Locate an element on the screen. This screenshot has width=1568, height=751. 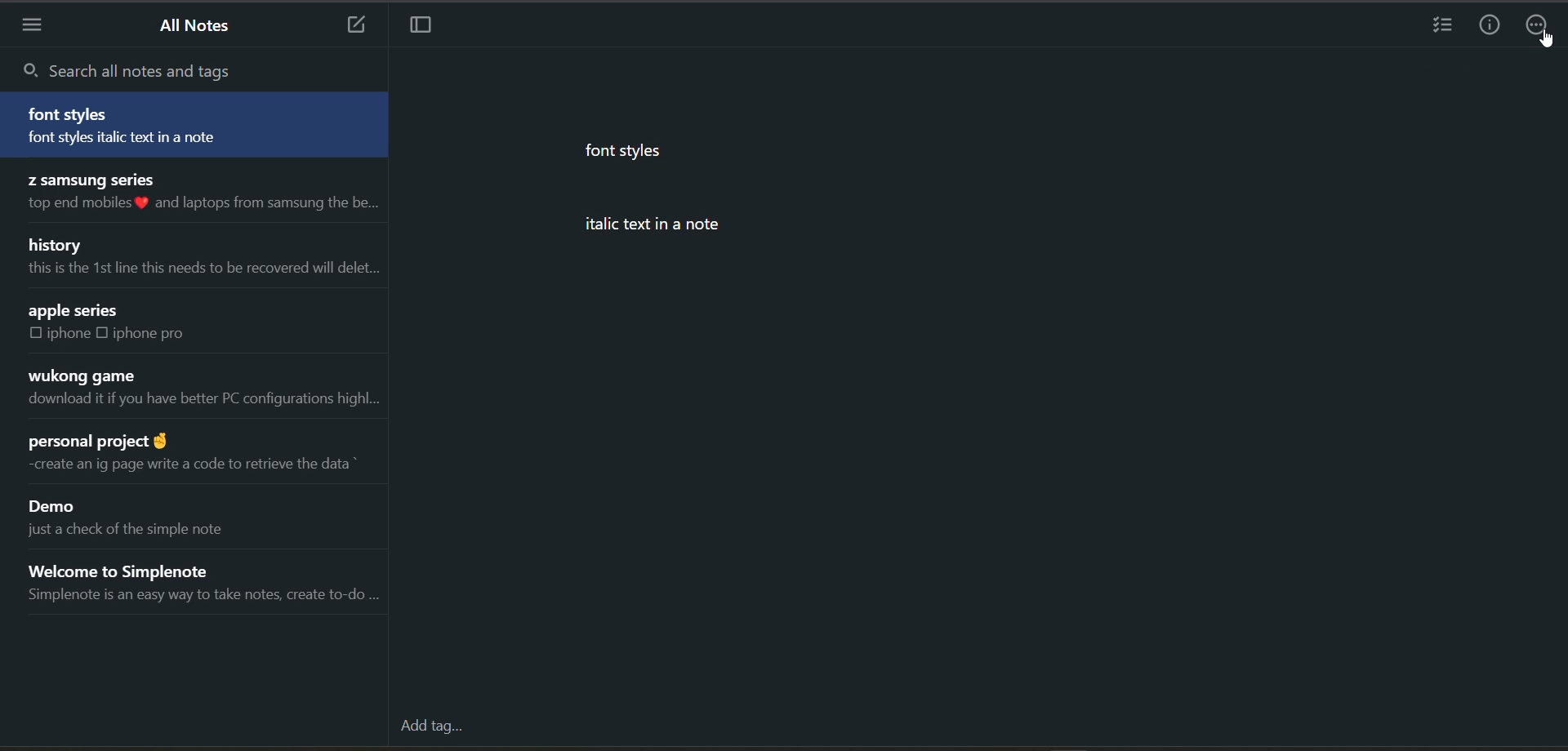
actions is located at coordinates (1541, 23).